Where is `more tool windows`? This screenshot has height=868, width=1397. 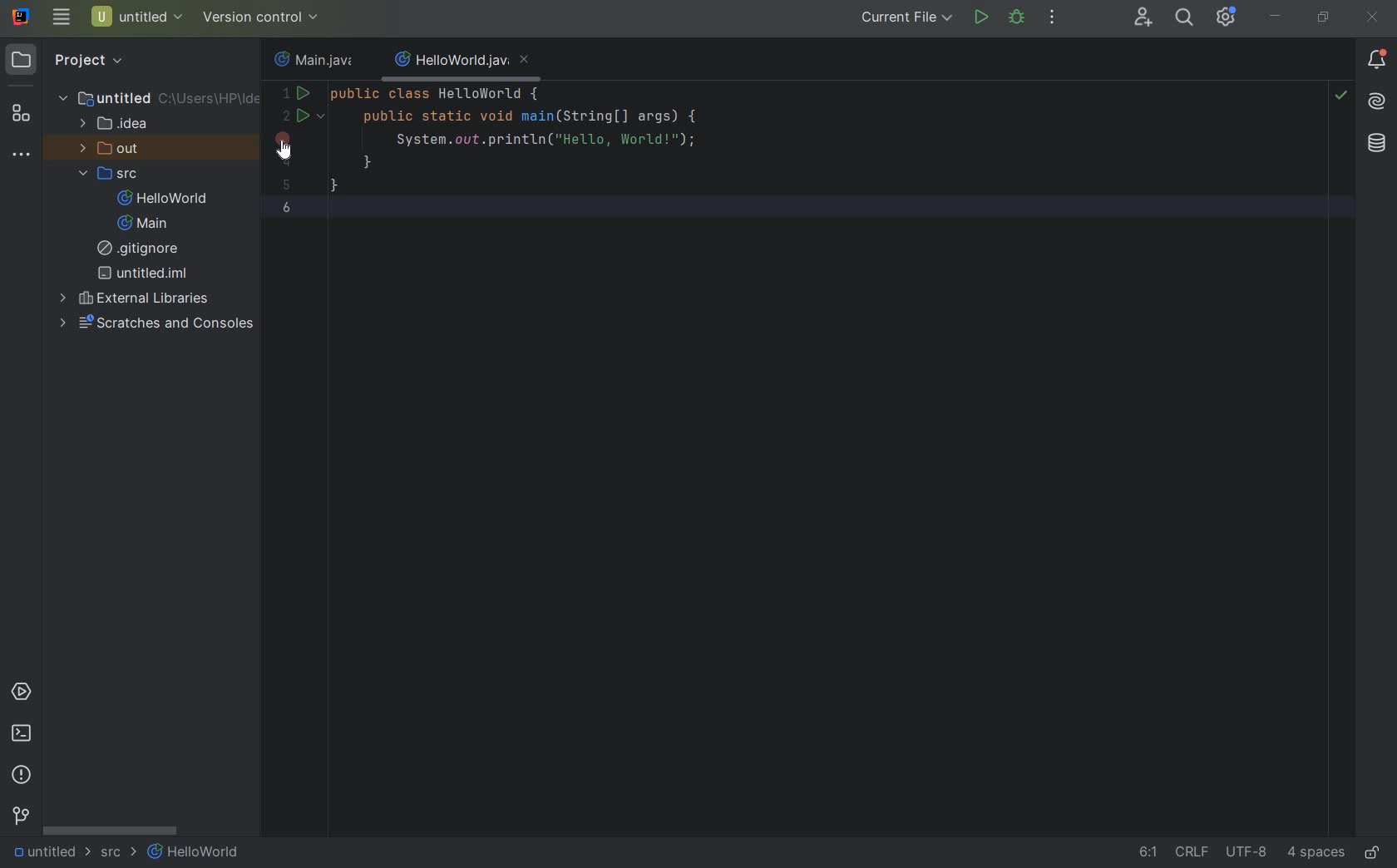
more tool windows is located at coordinates (21, 156).